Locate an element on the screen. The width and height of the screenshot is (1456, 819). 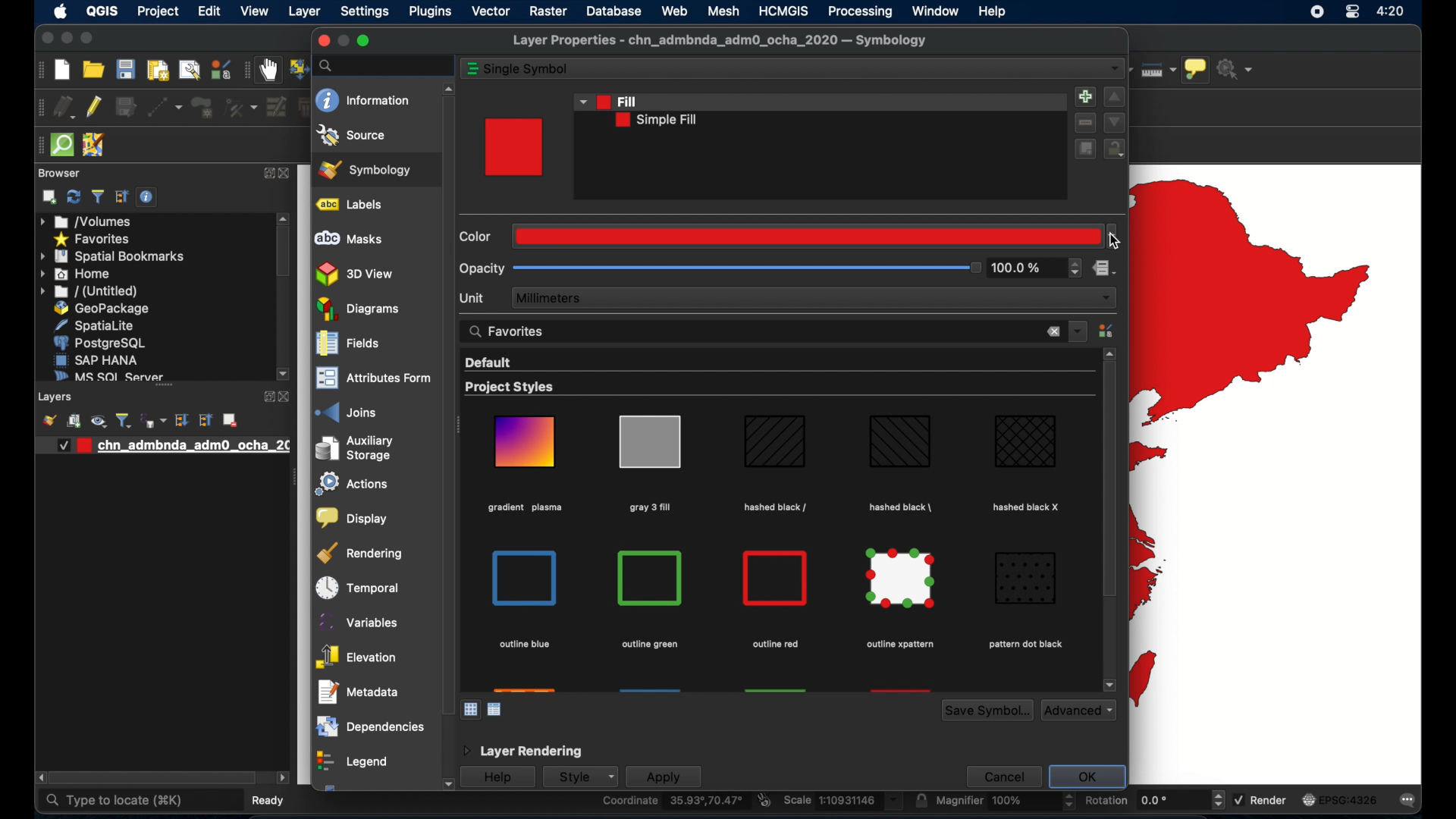
rendering is located at coordinates (362, 553).